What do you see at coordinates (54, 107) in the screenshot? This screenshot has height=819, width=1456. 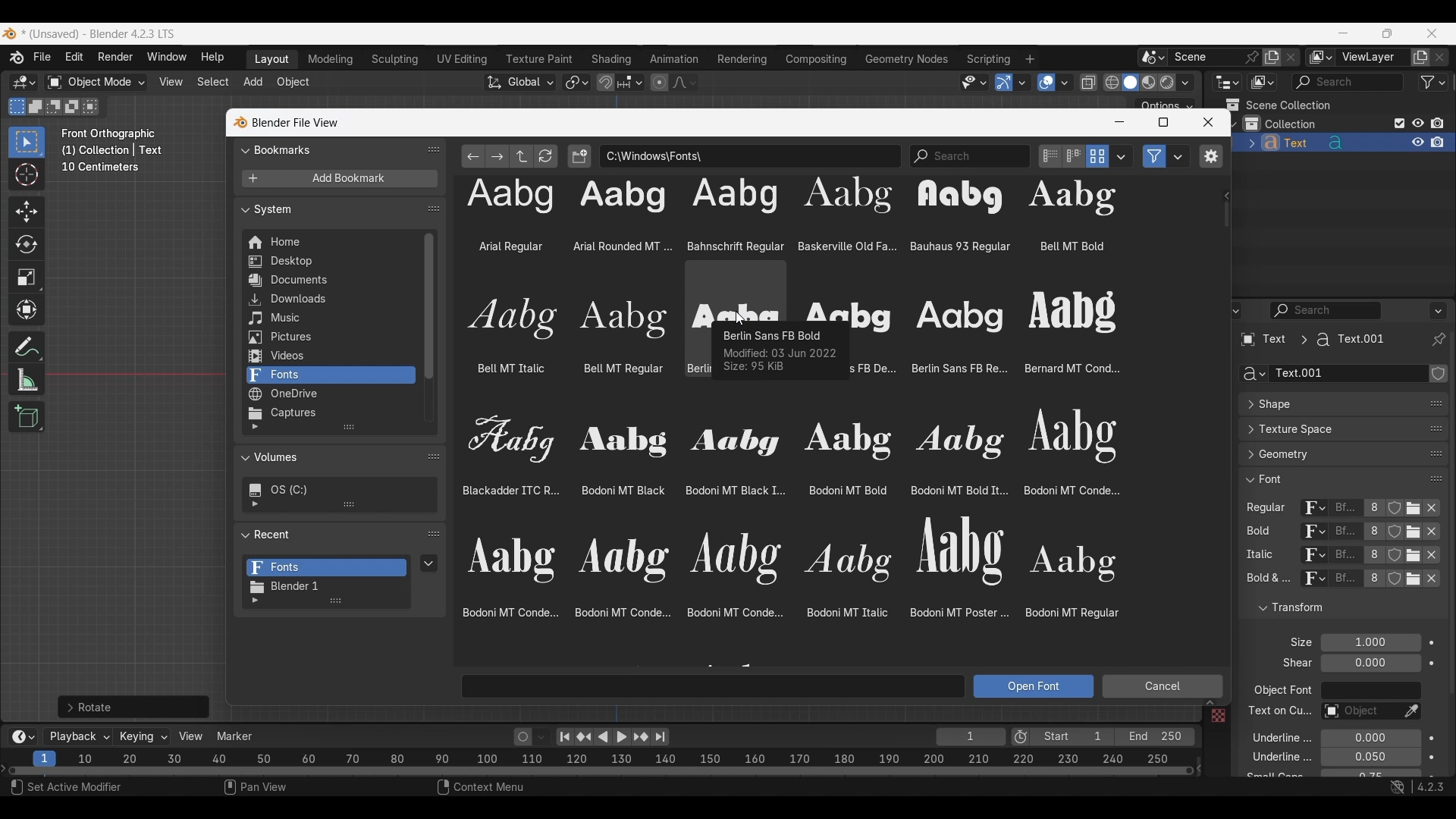 I see `Subtract existing selection` at bounding box center [54, 107].